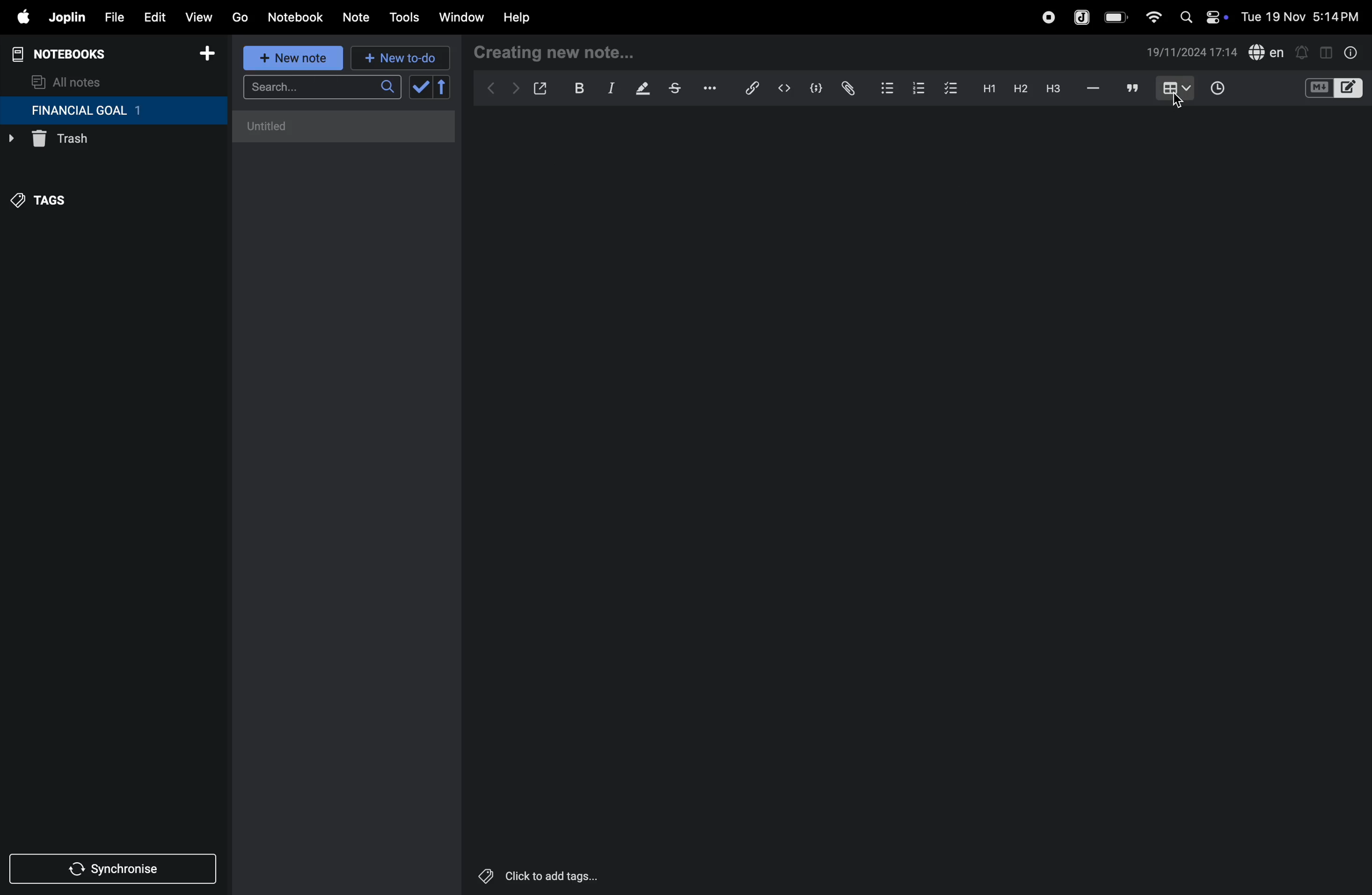 This screenshot has width=1372, height=895. I want to click on bullet list, so click(887, 87).